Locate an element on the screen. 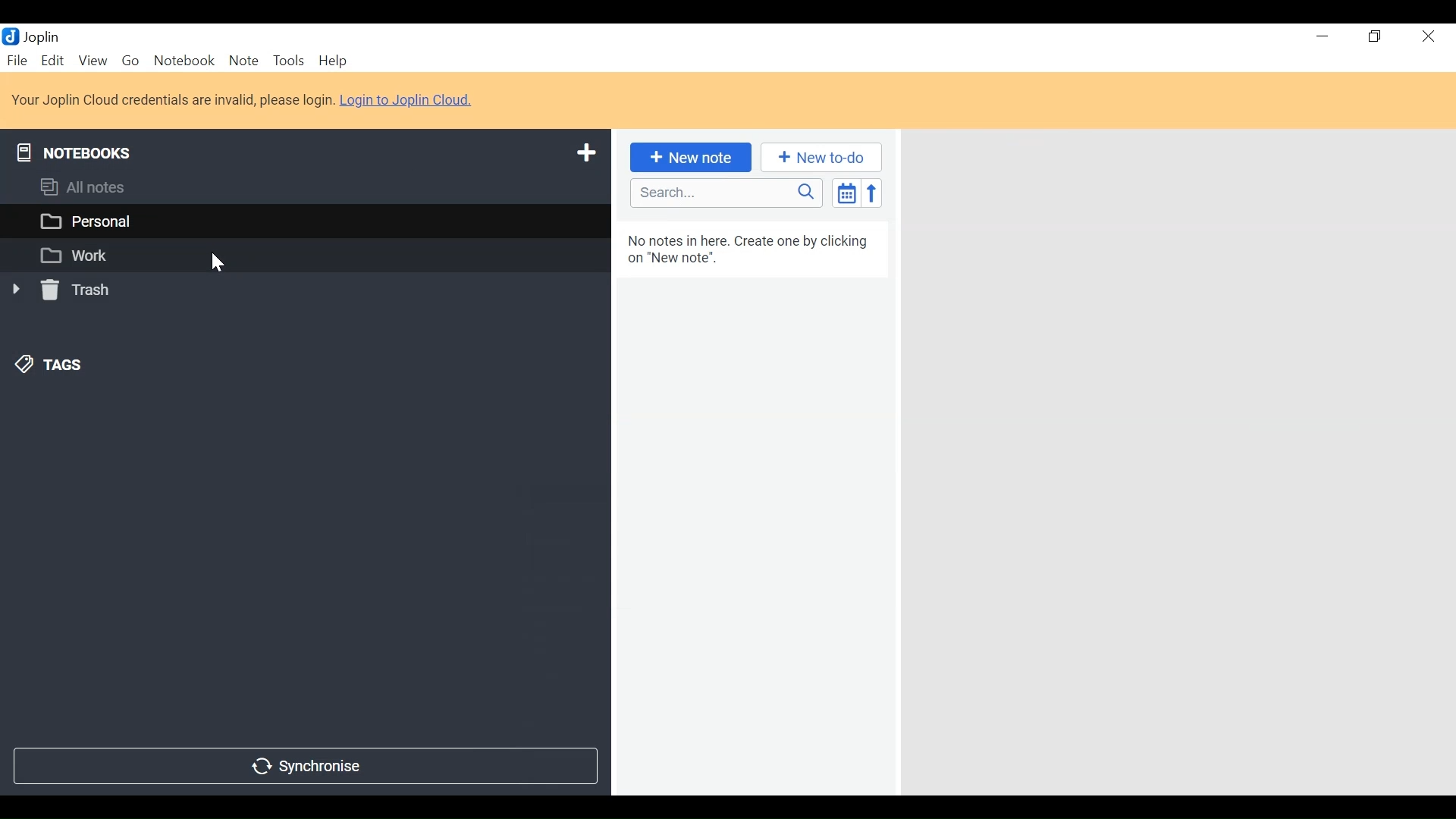  Note is located at coordinates (243, 61).